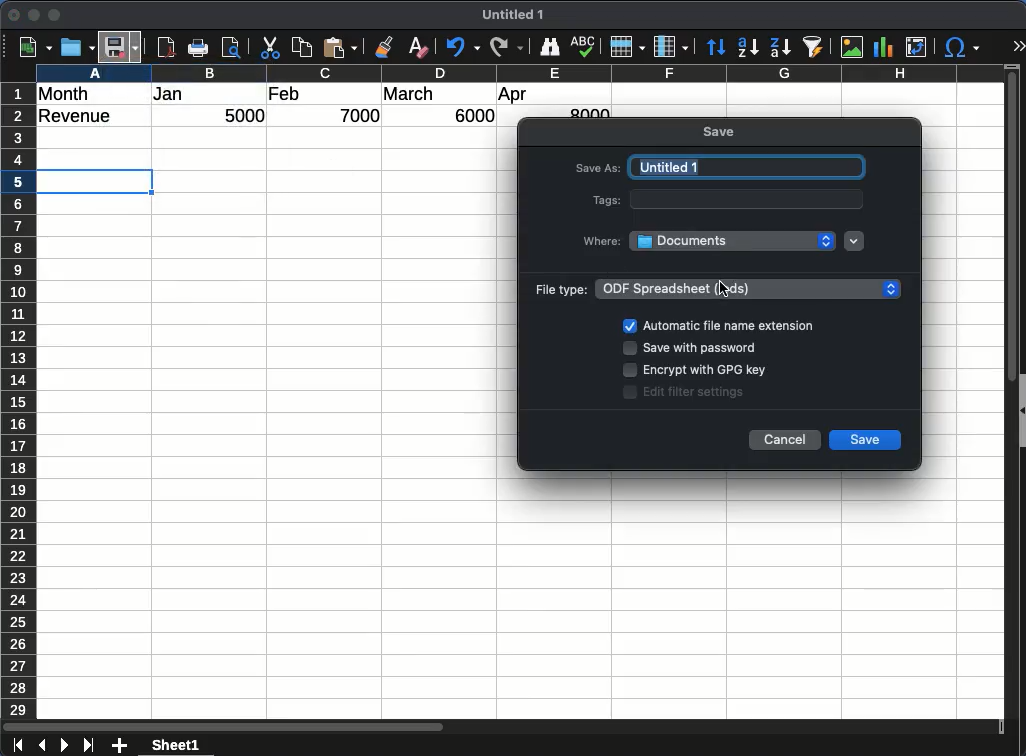  I want to click on redo, so click(505, 47).